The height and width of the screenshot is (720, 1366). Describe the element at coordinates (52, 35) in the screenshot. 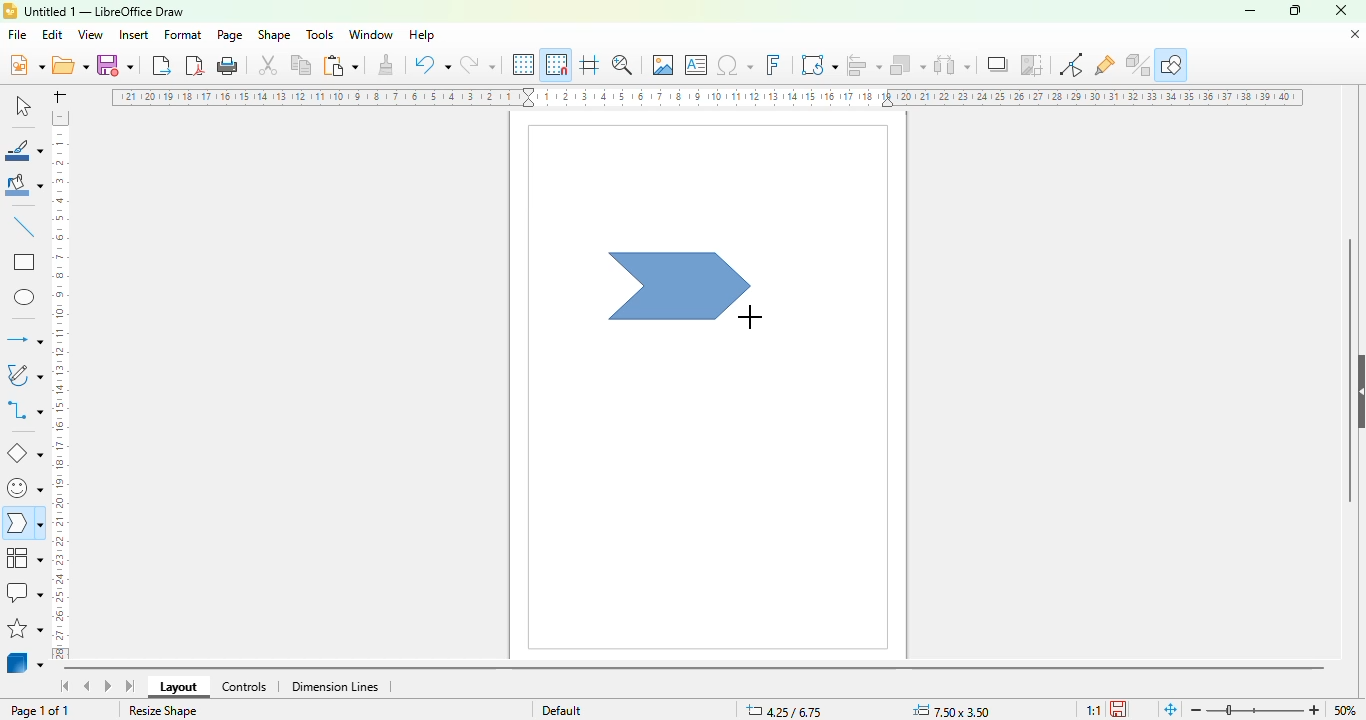

I see `edit` at that location.